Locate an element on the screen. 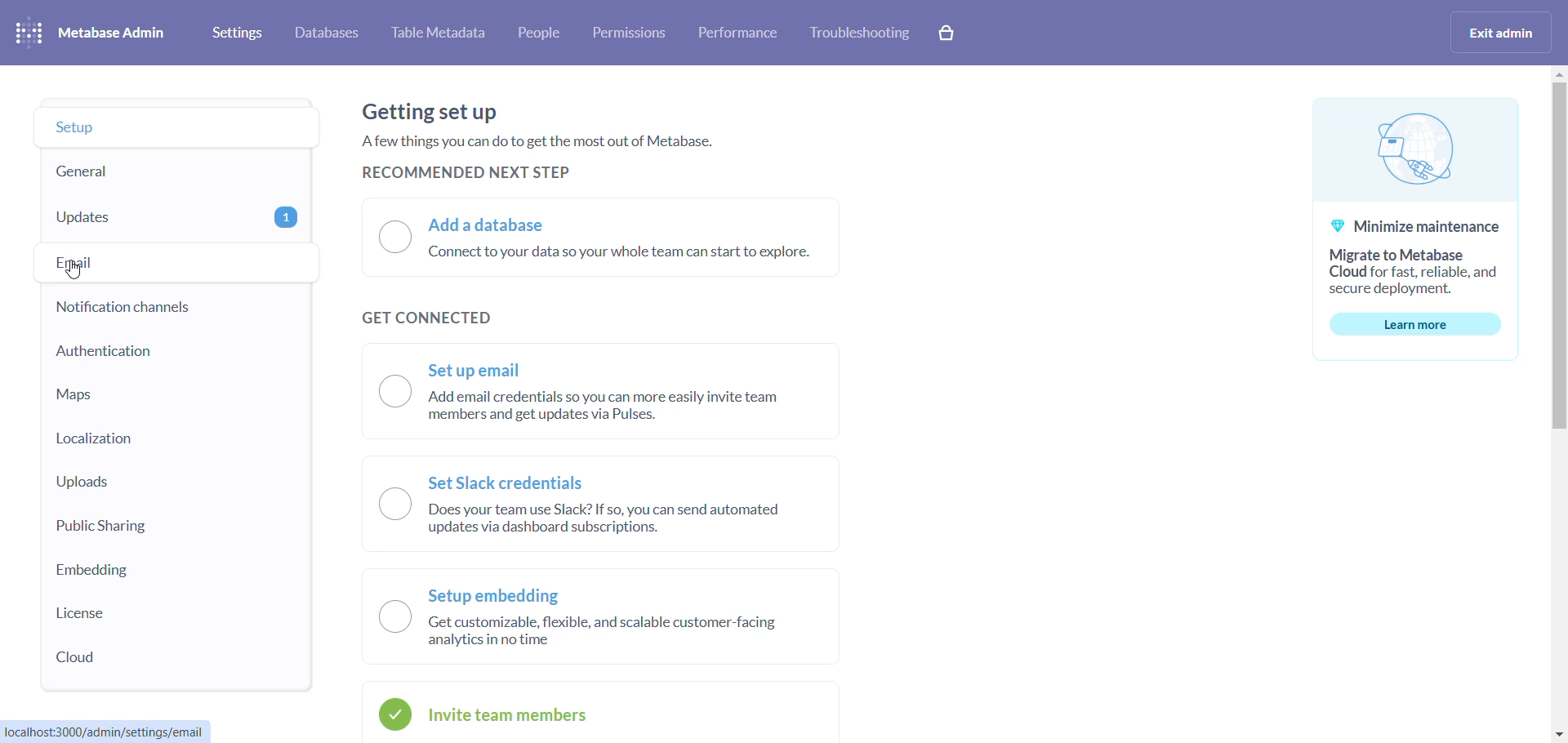  general is located at coordinates (156, 171).